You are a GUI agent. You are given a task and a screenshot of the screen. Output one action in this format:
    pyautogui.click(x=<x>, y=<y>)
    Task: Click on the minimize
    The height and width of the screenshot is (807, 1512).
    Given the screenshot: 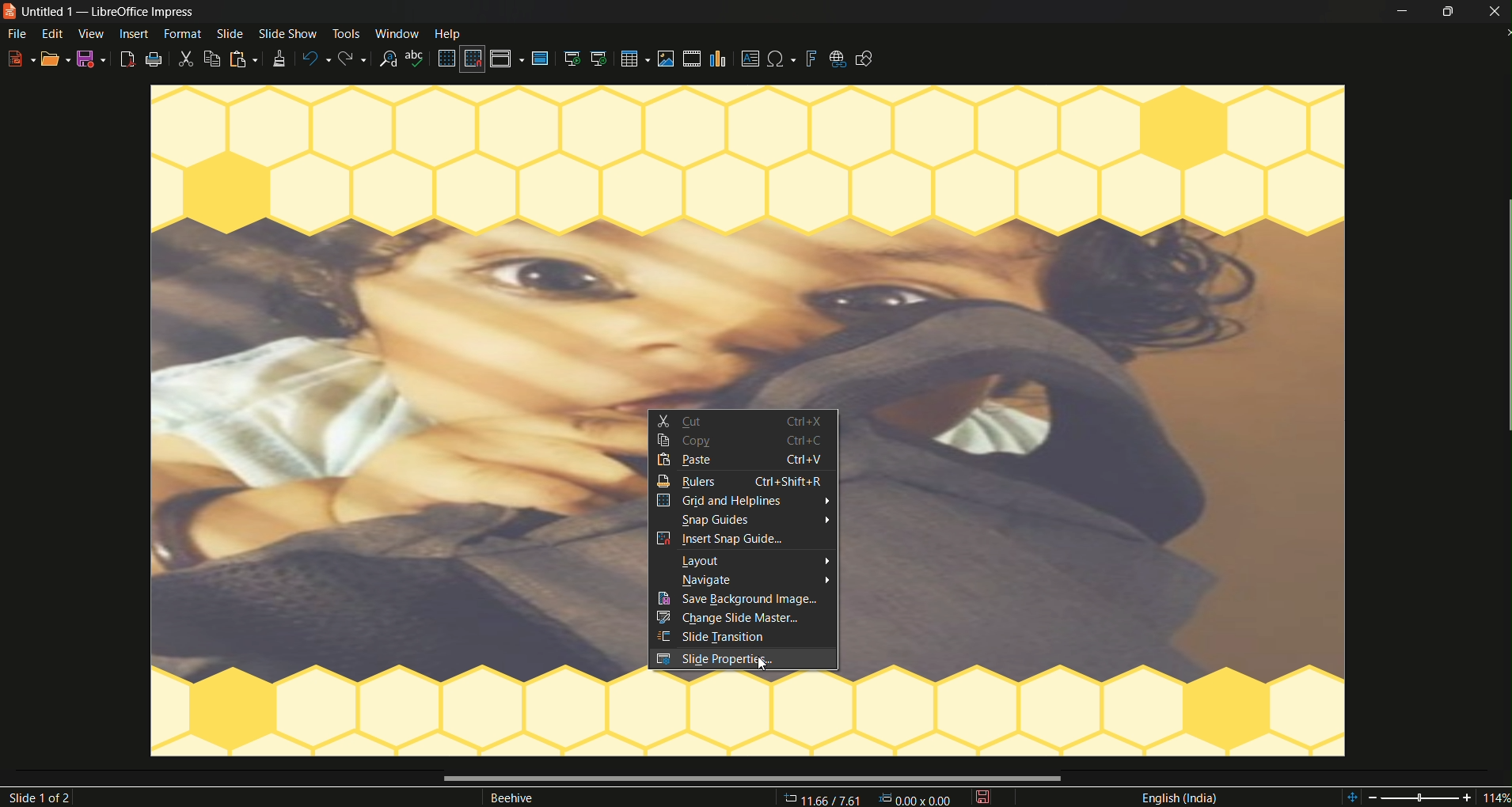 What is the action you would take?
    pyautogui.click(x=1403, y=12)
    